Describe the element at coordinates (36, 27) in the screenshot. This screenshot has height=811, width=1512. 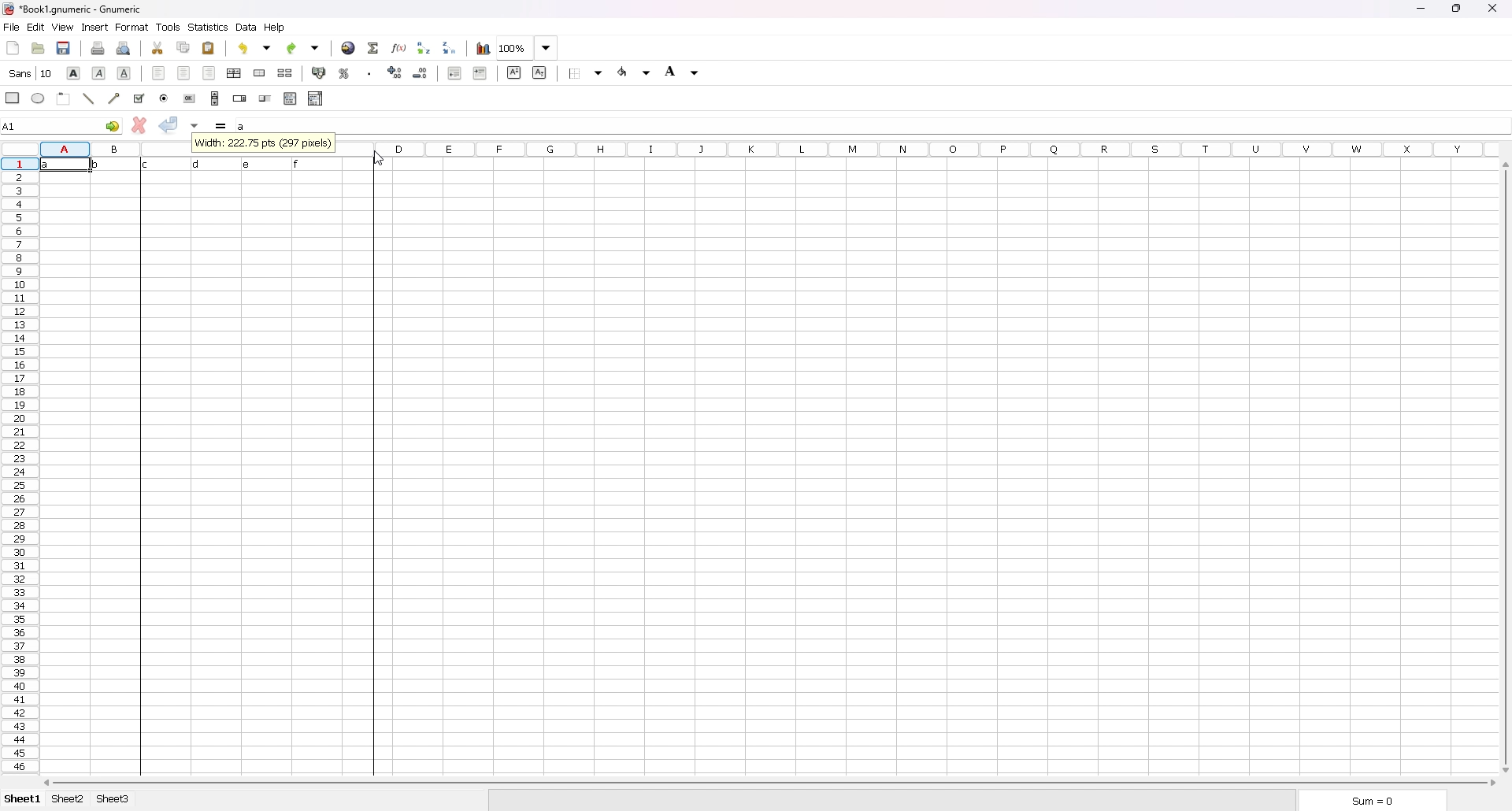
I see `edit` at that location.